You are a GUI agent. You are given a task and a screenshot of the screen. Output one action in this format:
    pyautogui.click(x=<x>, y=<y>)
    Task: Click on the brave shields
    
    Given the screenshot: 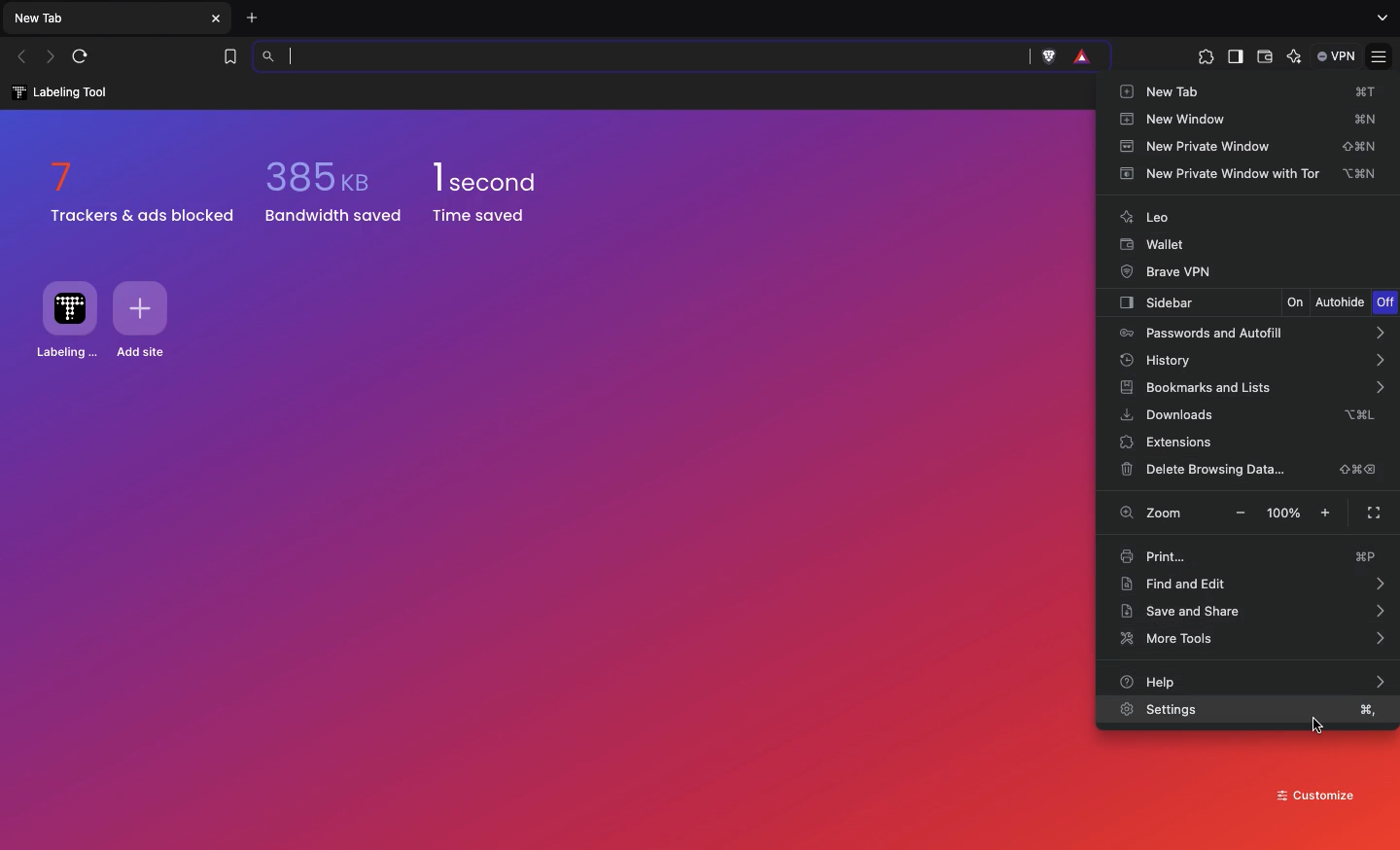 What is the action you would take?
    pyautogui.click(x=1045, y=55)
    